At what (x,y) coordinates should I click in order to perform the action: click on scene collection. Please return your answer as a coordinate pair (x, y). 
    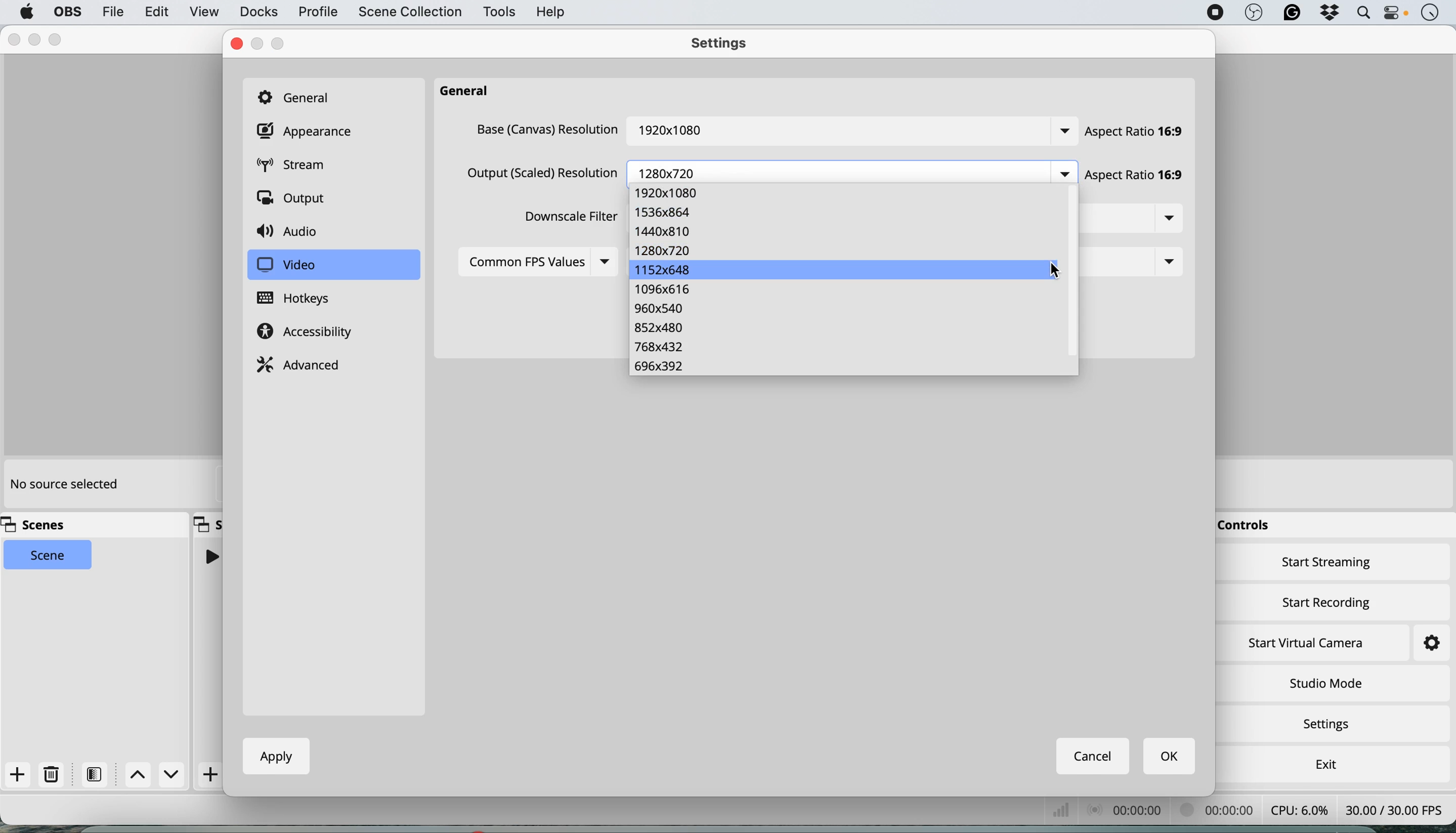
    Looking at the image, I should click on (409, 13).